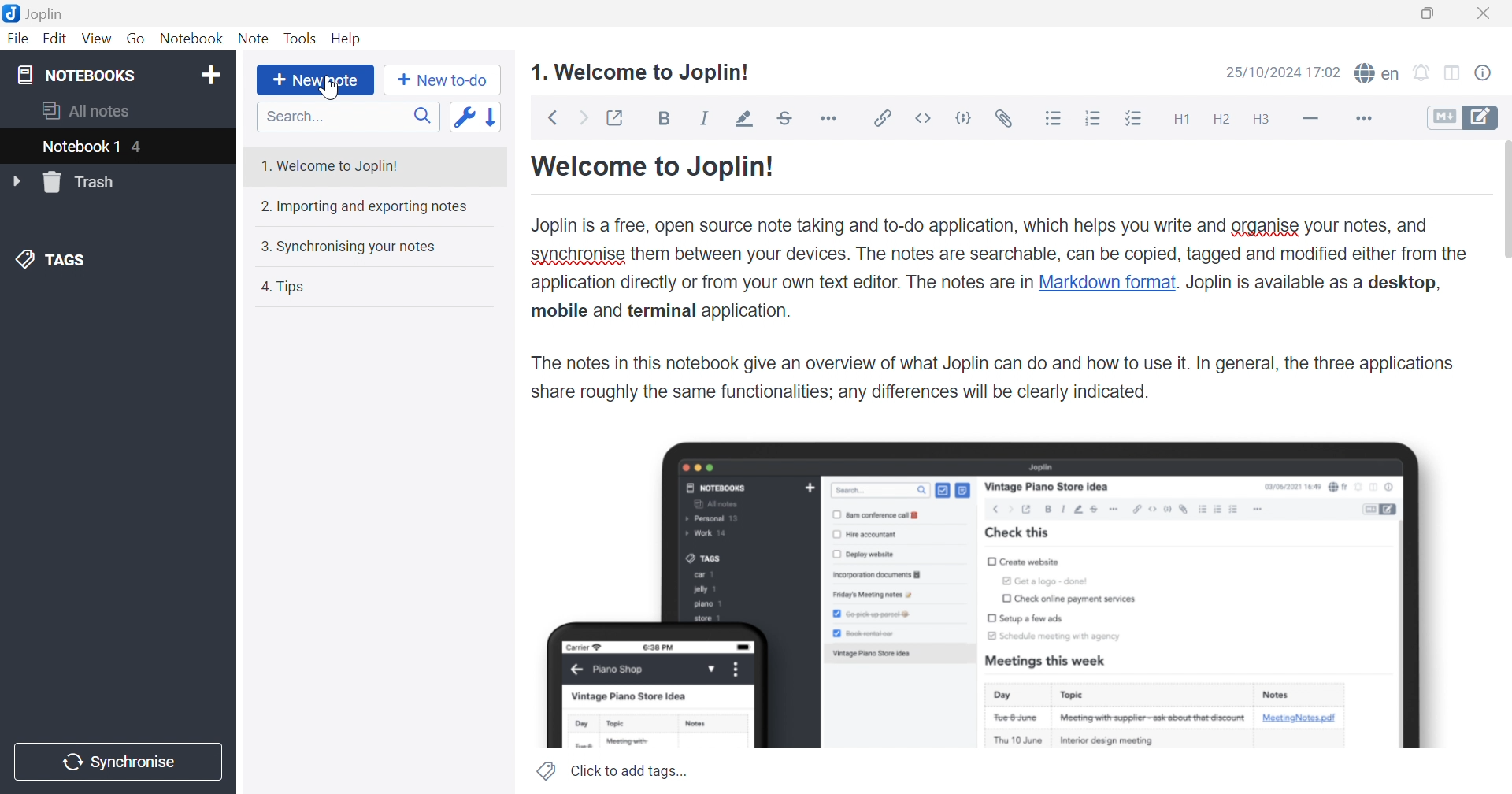 The height and width of the screenshot is (794, 1512). I want to click on More, so click(1357, 118).